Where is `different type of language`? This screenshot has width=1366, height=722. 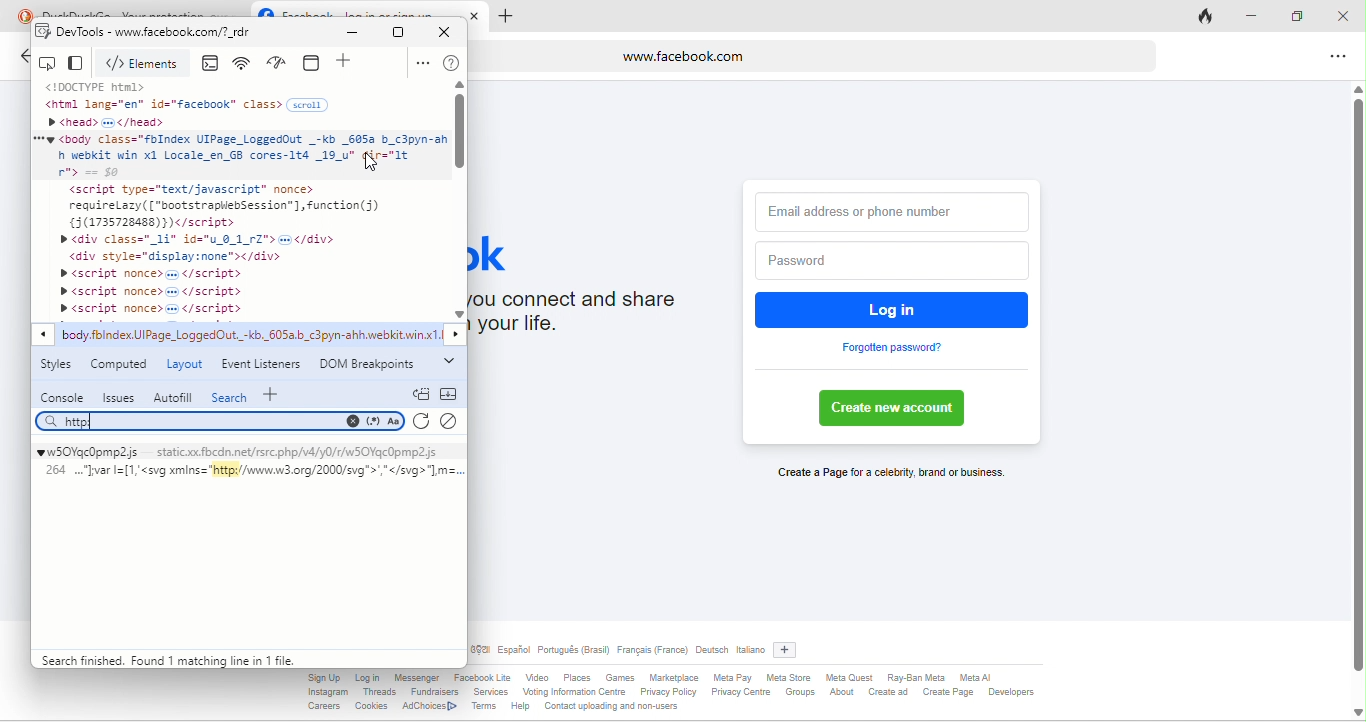
different type of language is located at coordinates (618, 652).